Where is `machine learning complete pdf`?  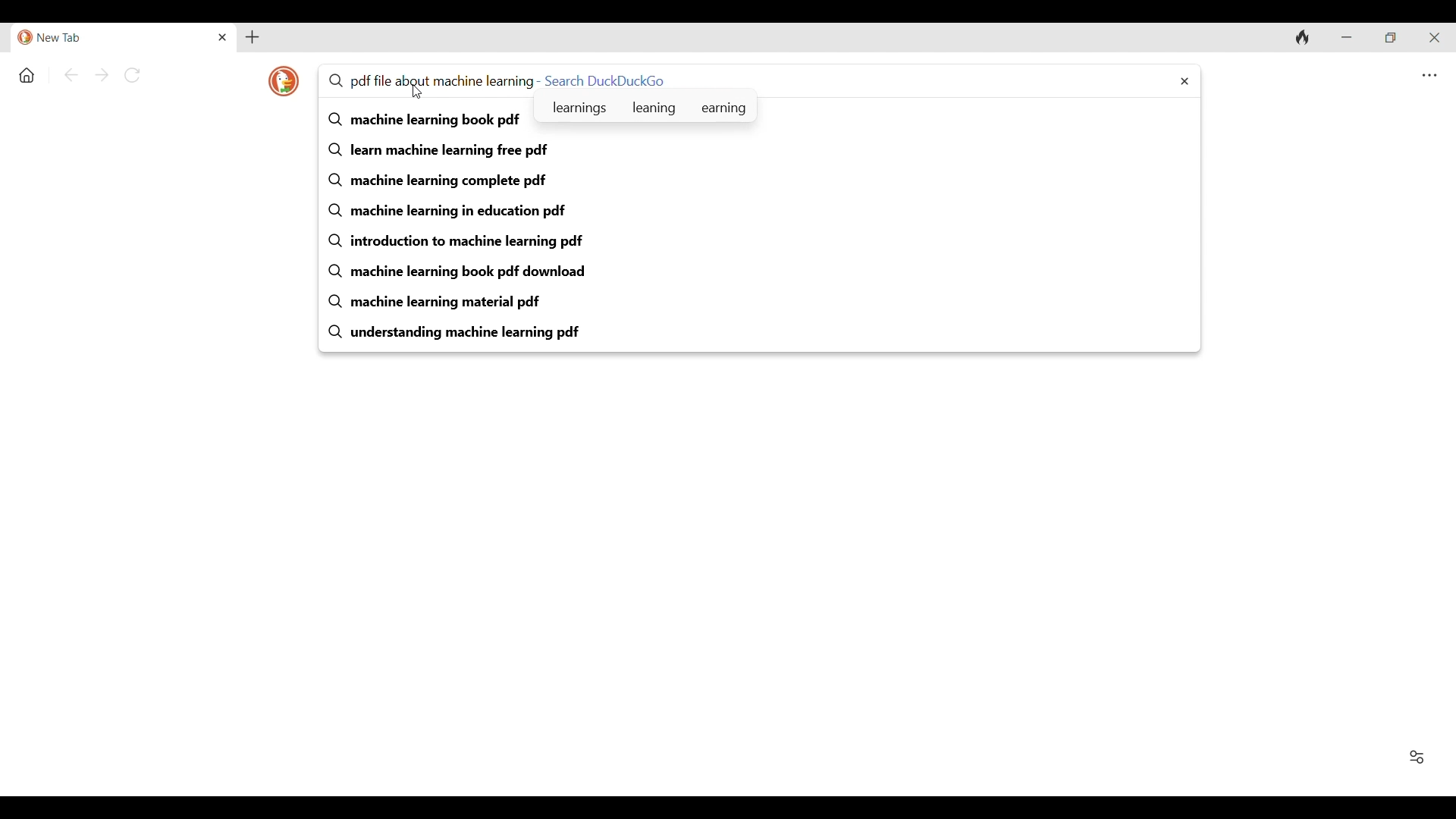 machine learning complete pdf is located at coordinates (761, 181).